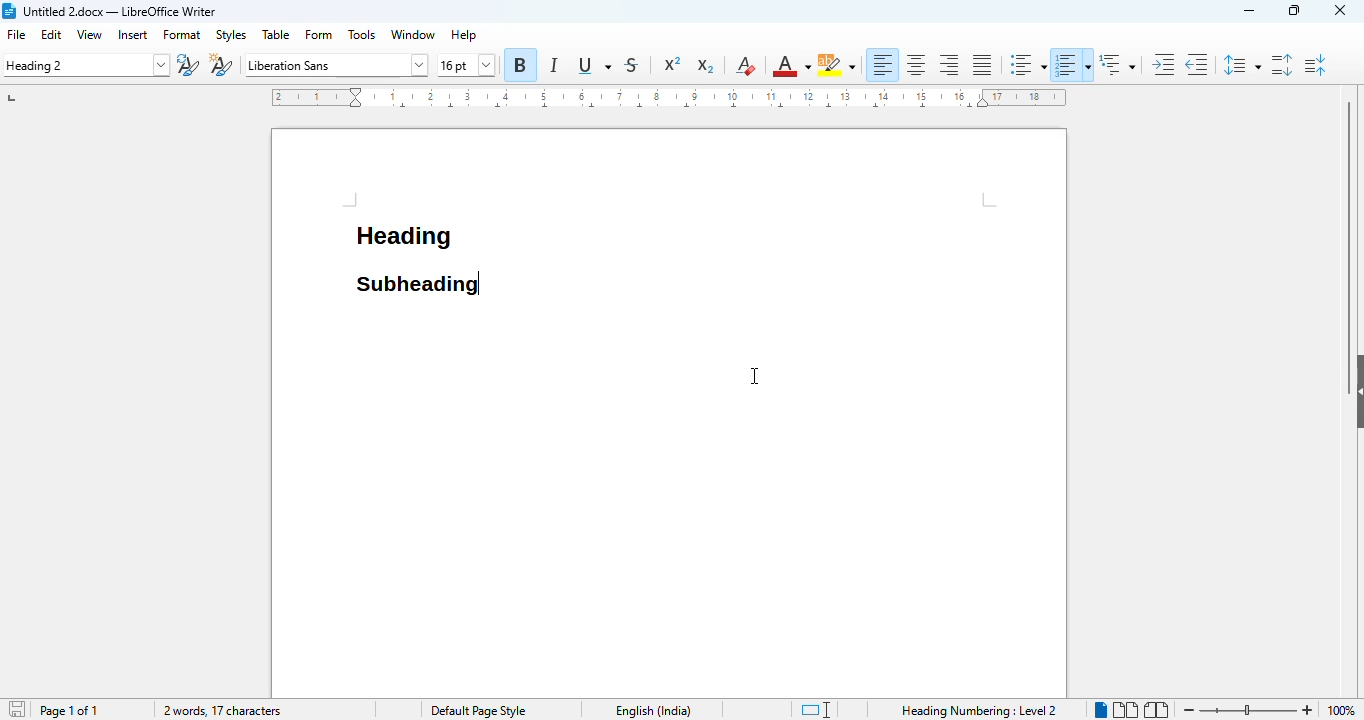 This screenshot has width=1364, height=720. What do you see at coordinates (1072, 65) in the screenshot?
I see `toggle ordered list` at bounding box center [1072, 65].